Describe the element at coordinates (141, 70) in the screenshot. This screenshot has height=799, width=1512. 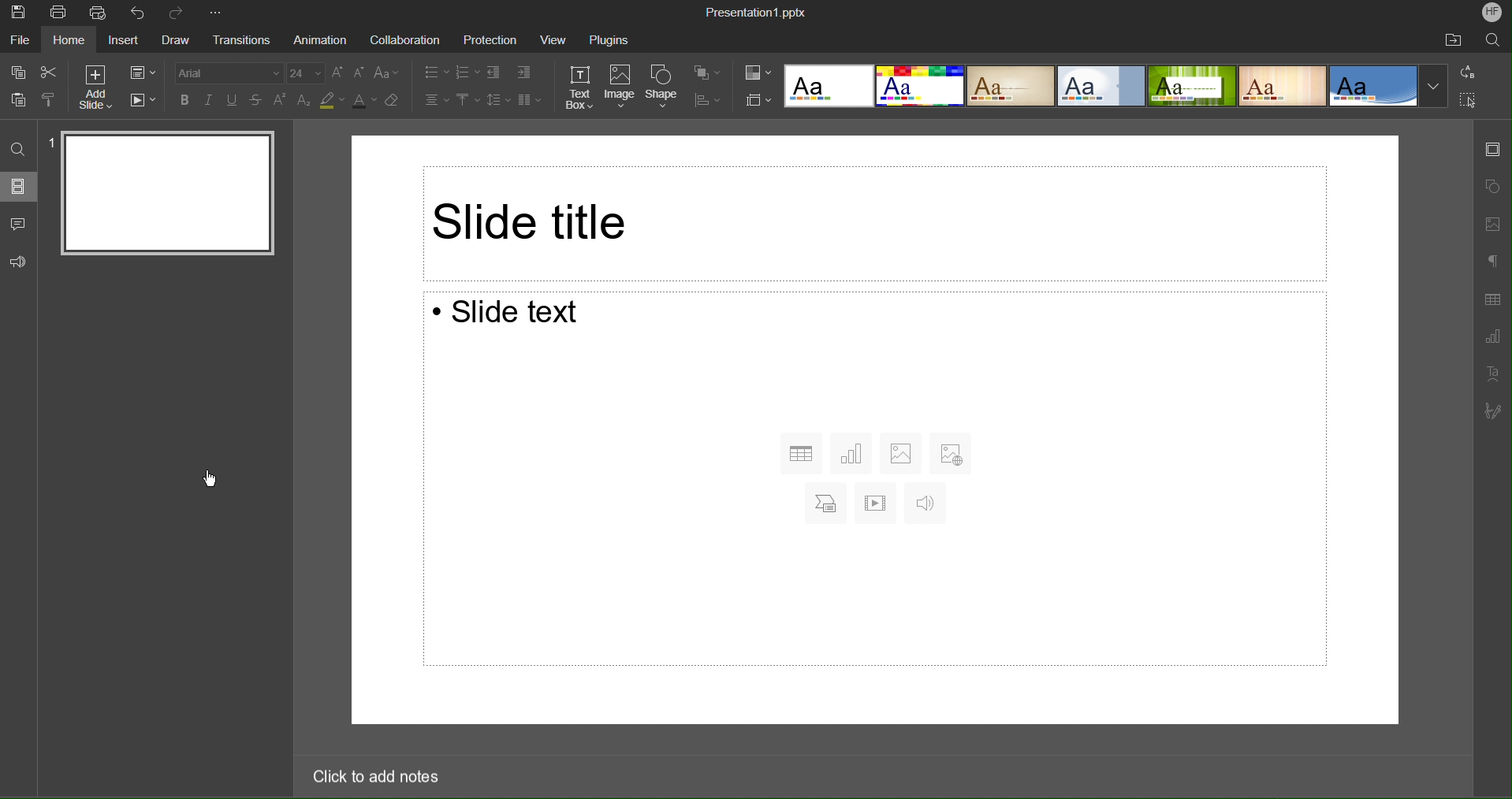
I see `Slide Settings` at that location.